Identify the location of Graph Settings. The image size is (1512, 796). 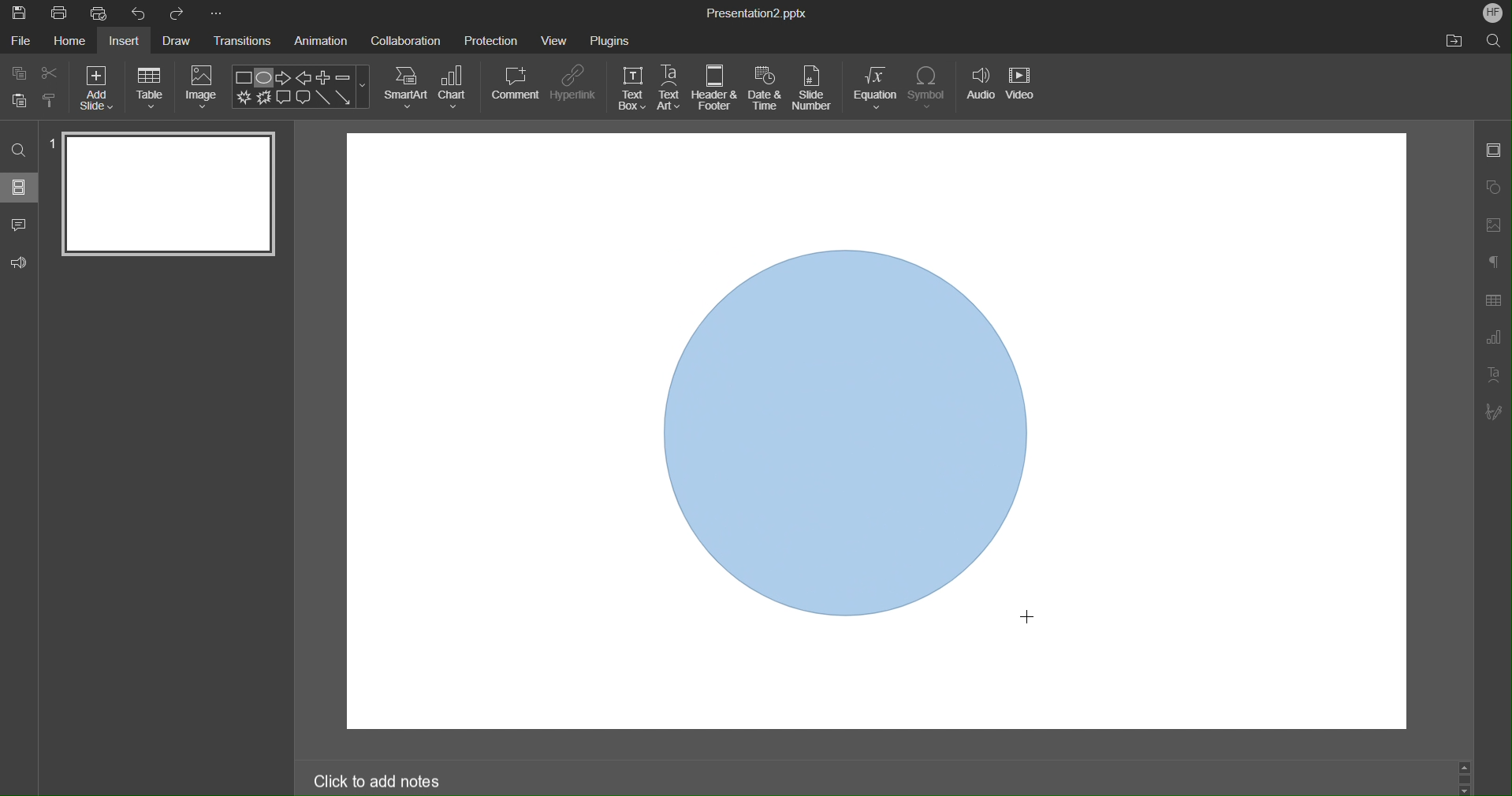
(1490, 340).